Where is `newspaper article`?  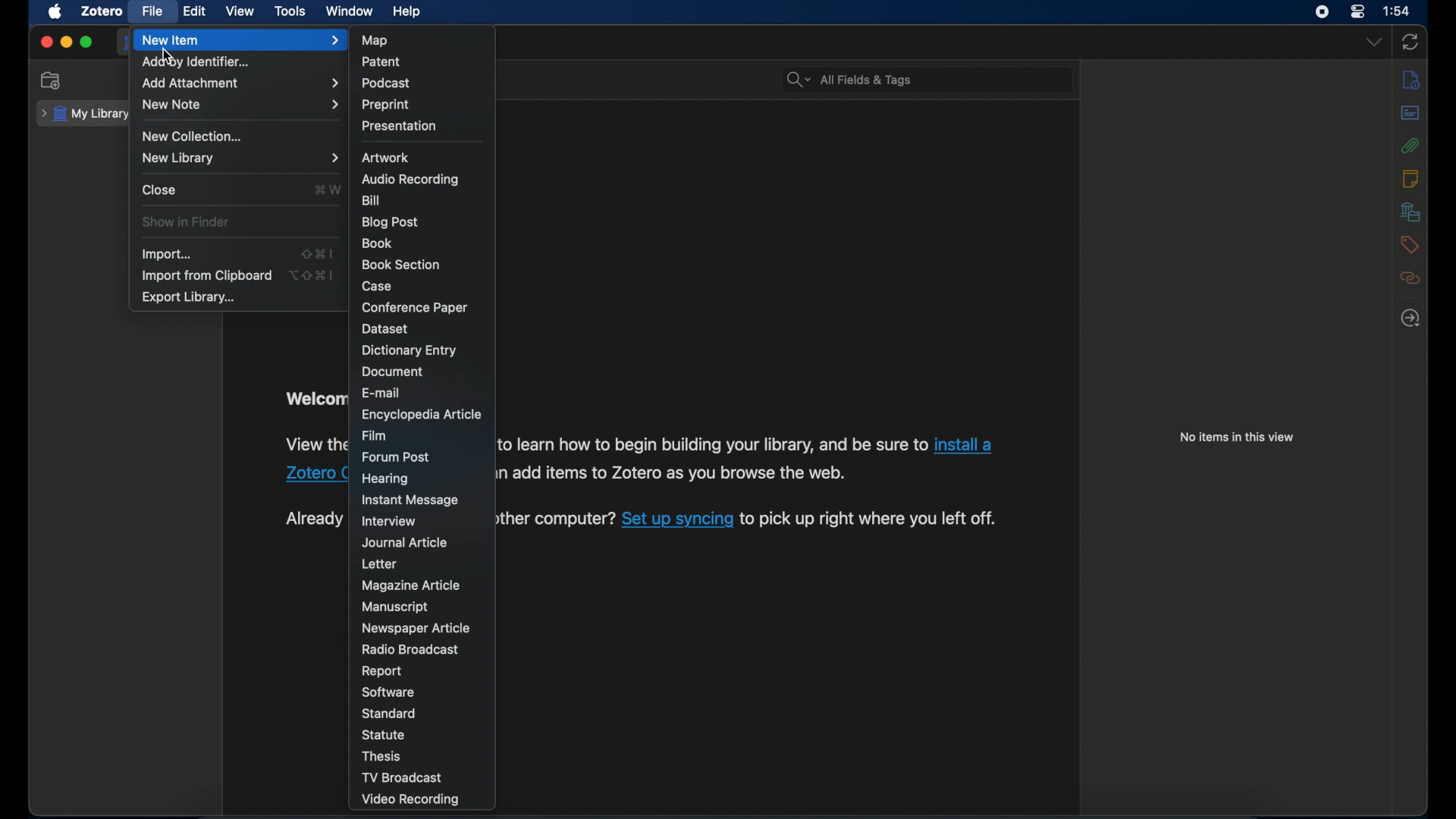
newspaper article is located at coordinates (415, 629).